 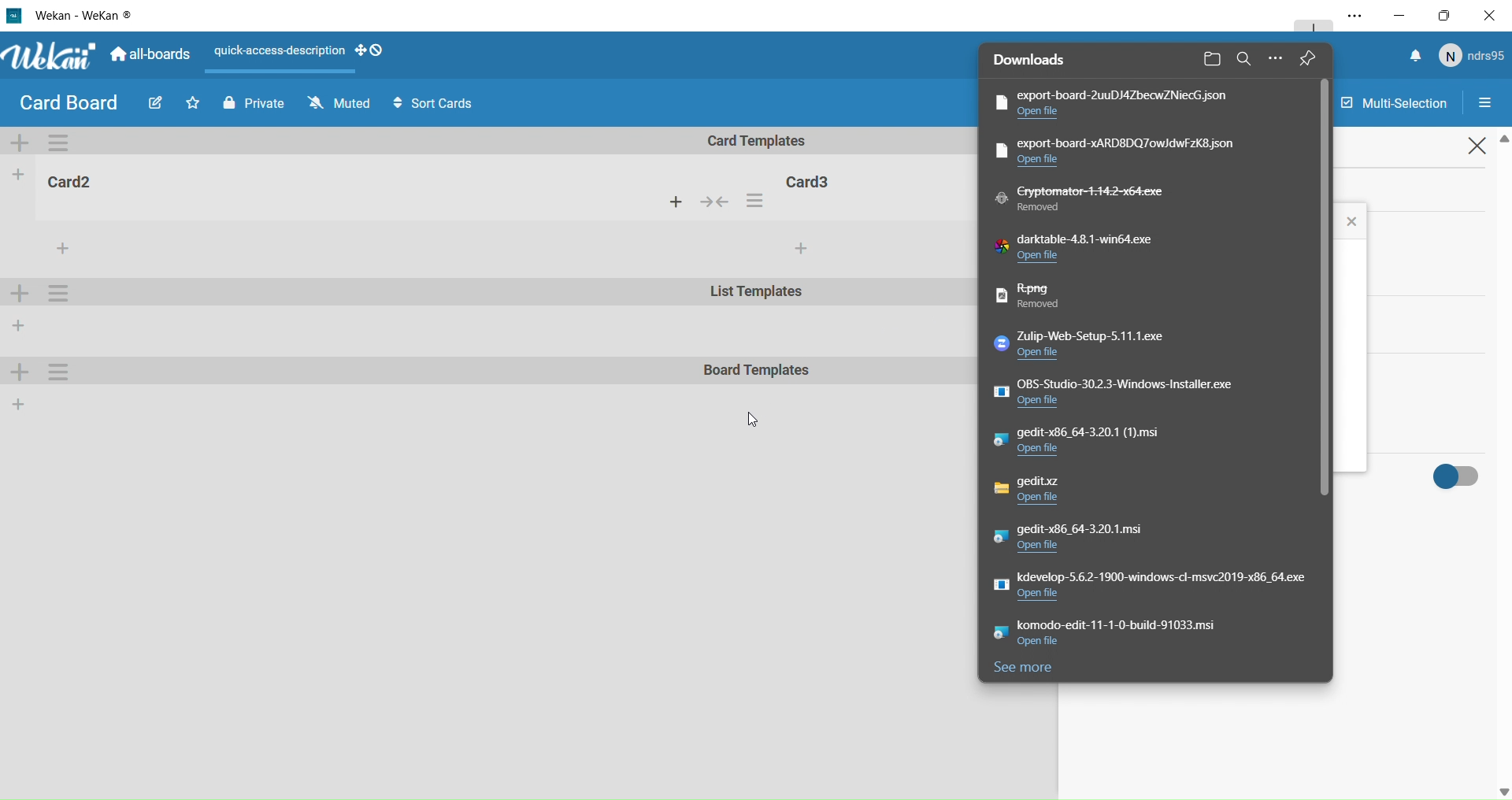 I want to click on downloaded file, so click(x=1149, y=589).